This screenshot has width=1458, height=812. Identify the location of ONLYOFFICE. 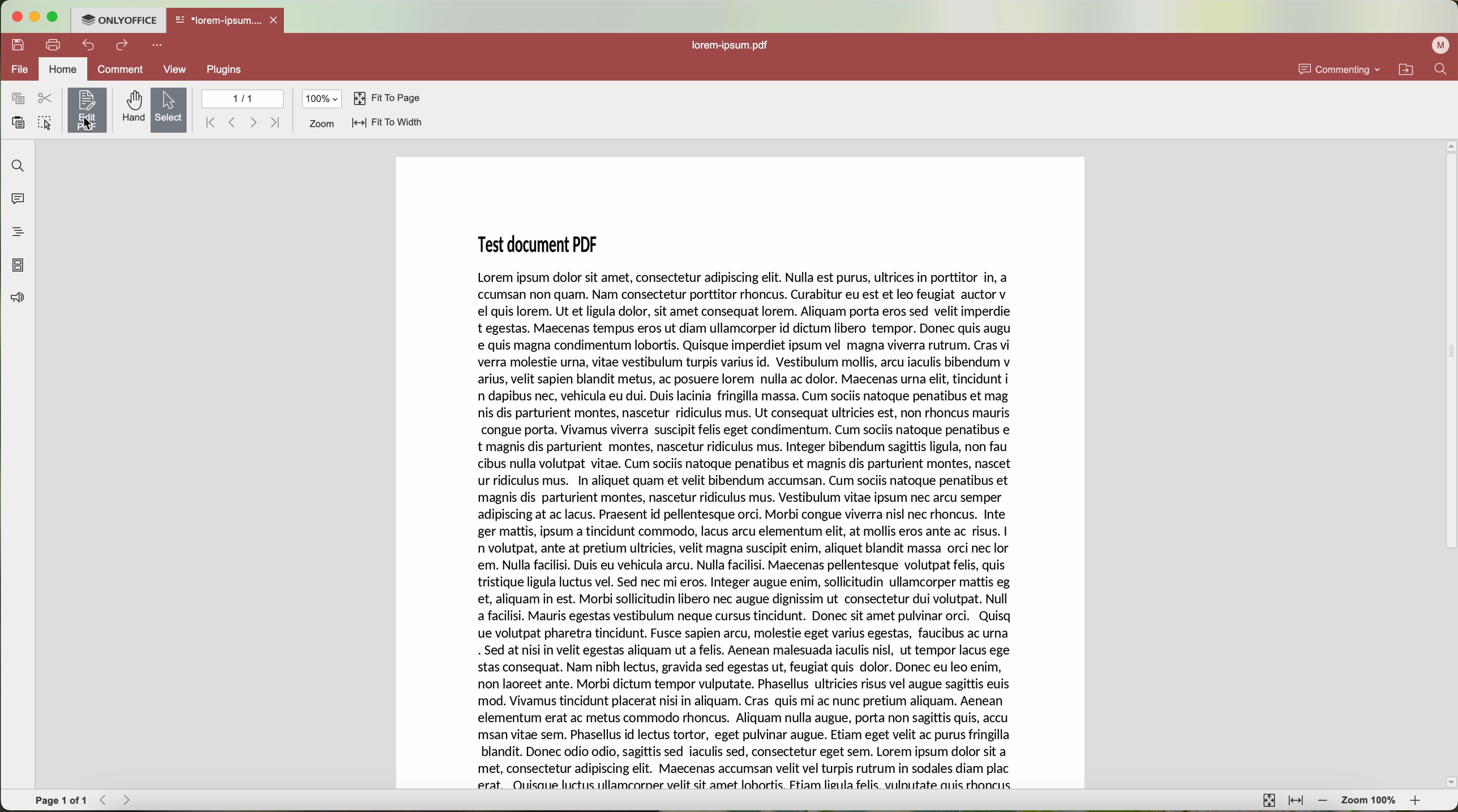
(120, 21).